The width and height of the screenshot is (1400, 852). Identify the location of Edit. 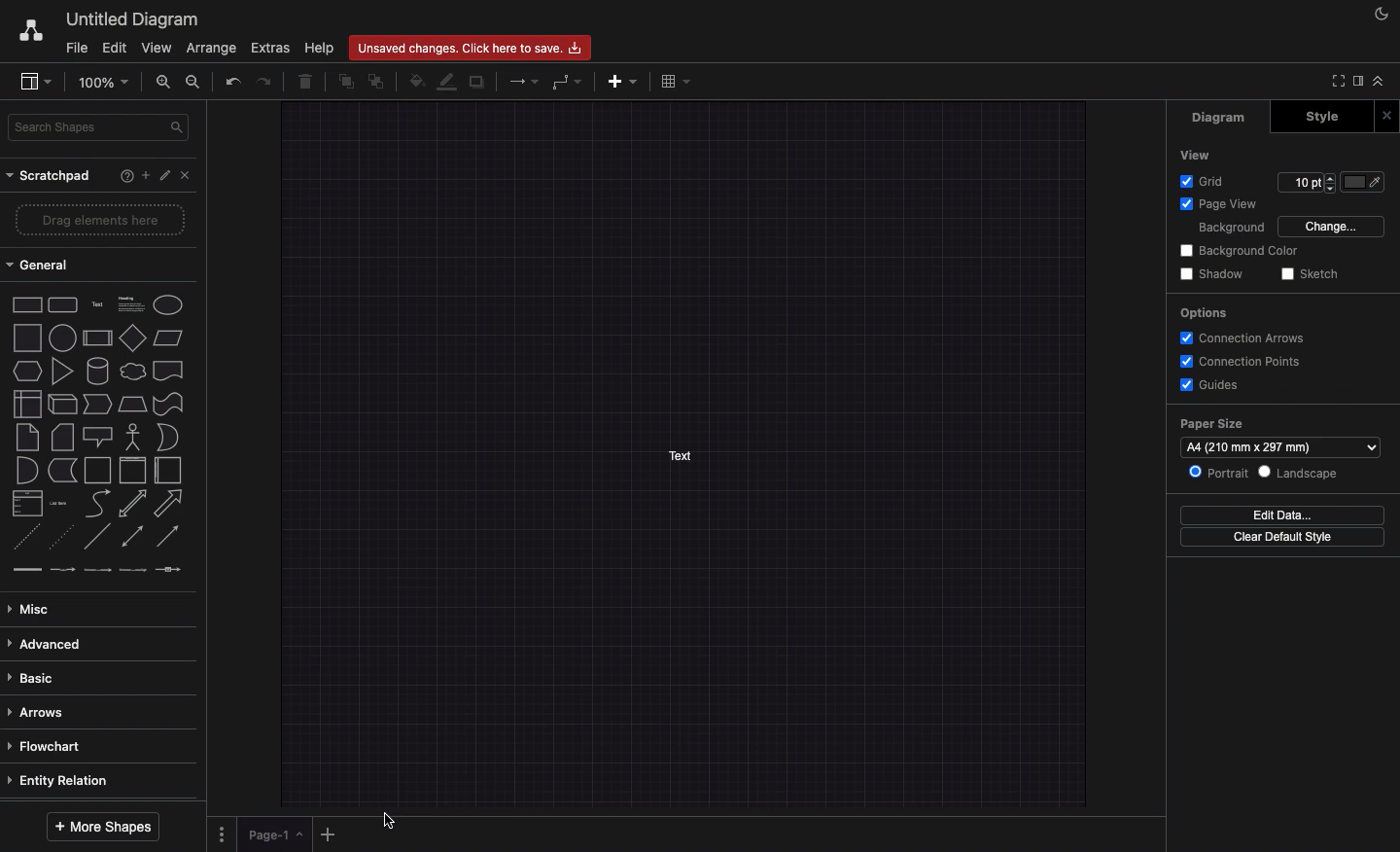
(116, 47).